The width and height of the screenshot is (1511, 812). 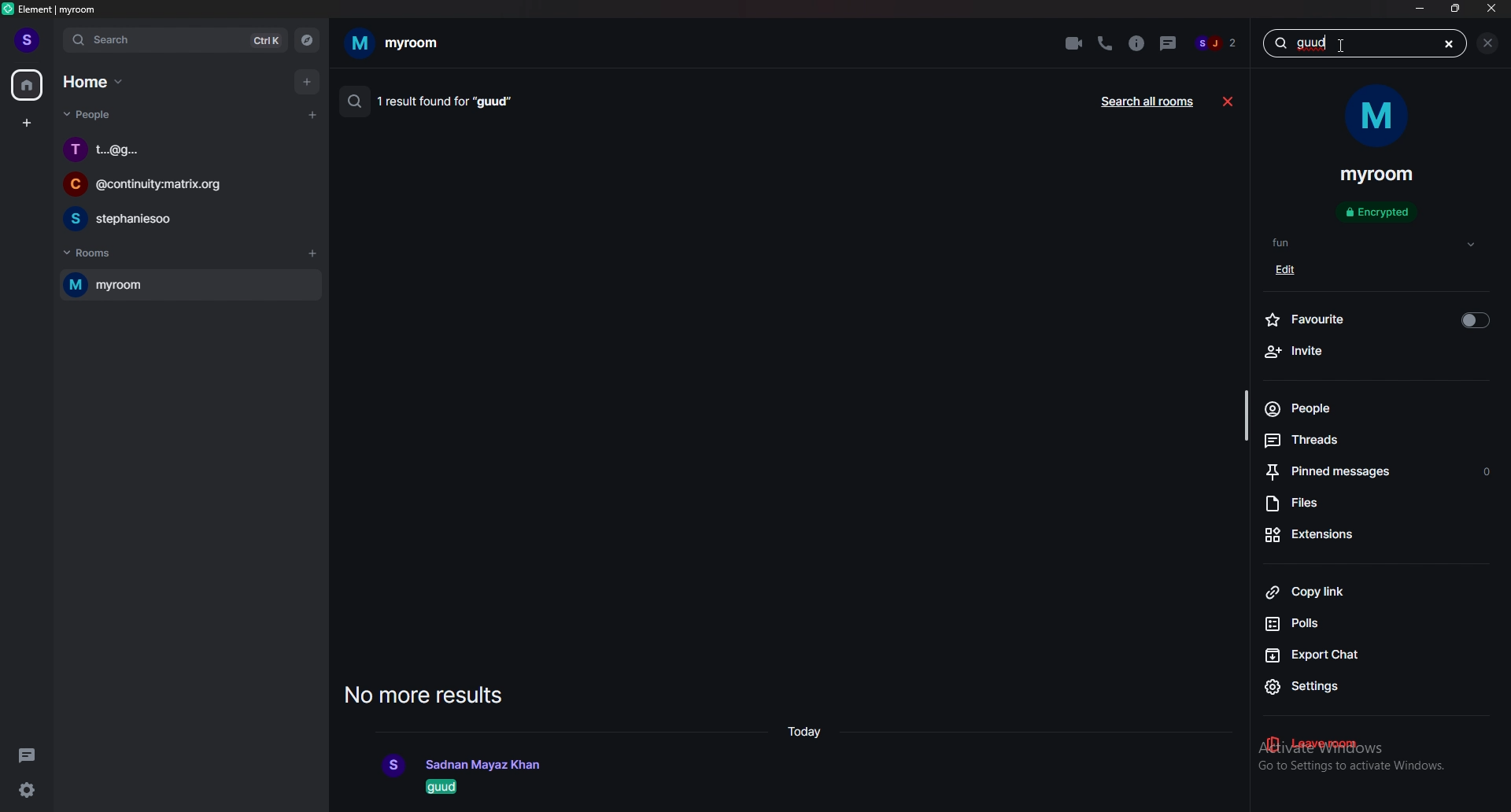 What do you see at coordinates (1246, 415) in the screenshot?
I see `scroll bar` at bounding box center [1246, 415].